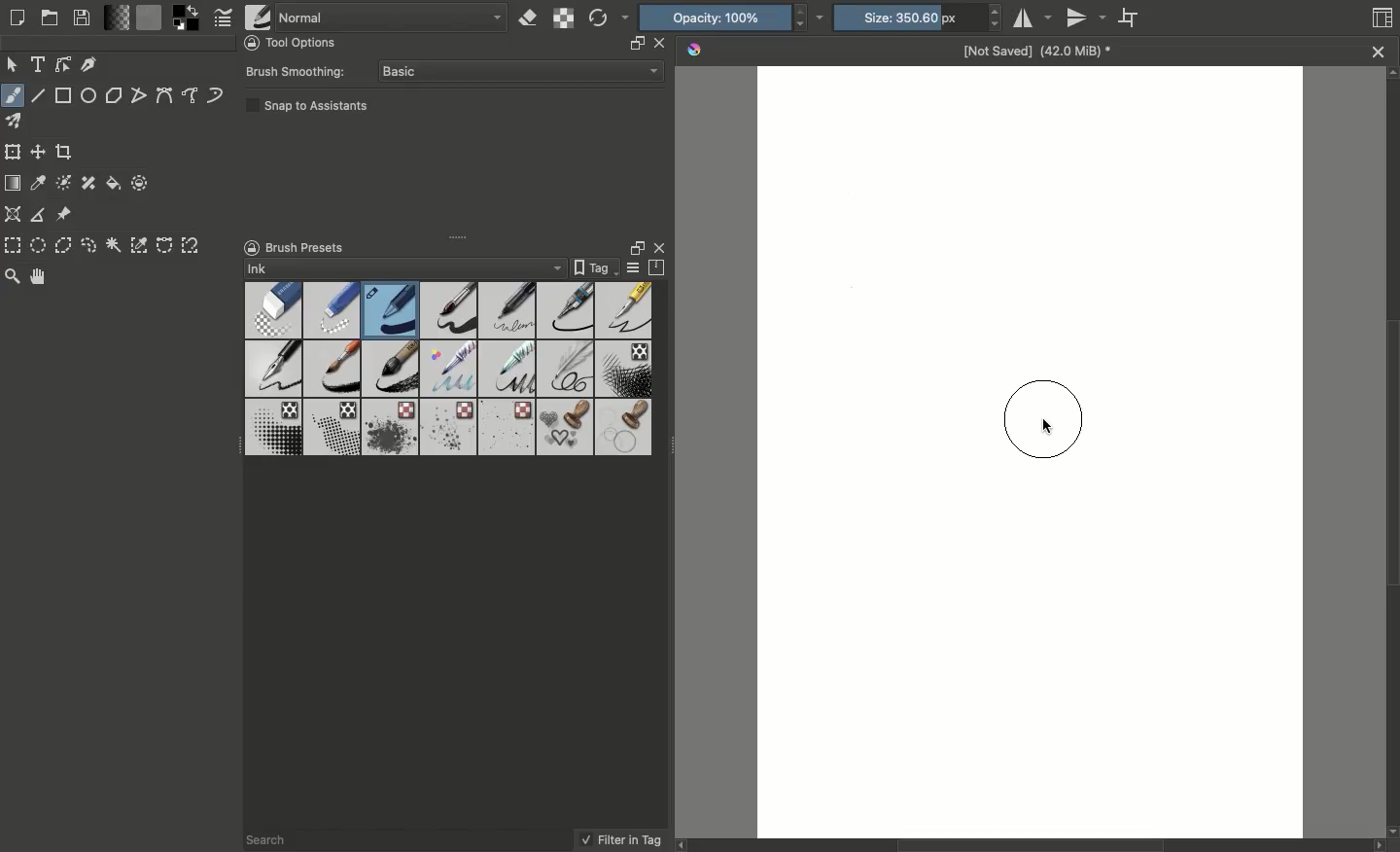 The image size is (1400, 852). Describe the element at coordinates (40, 183) in the screenshot. I see `Sample a color` at that location.